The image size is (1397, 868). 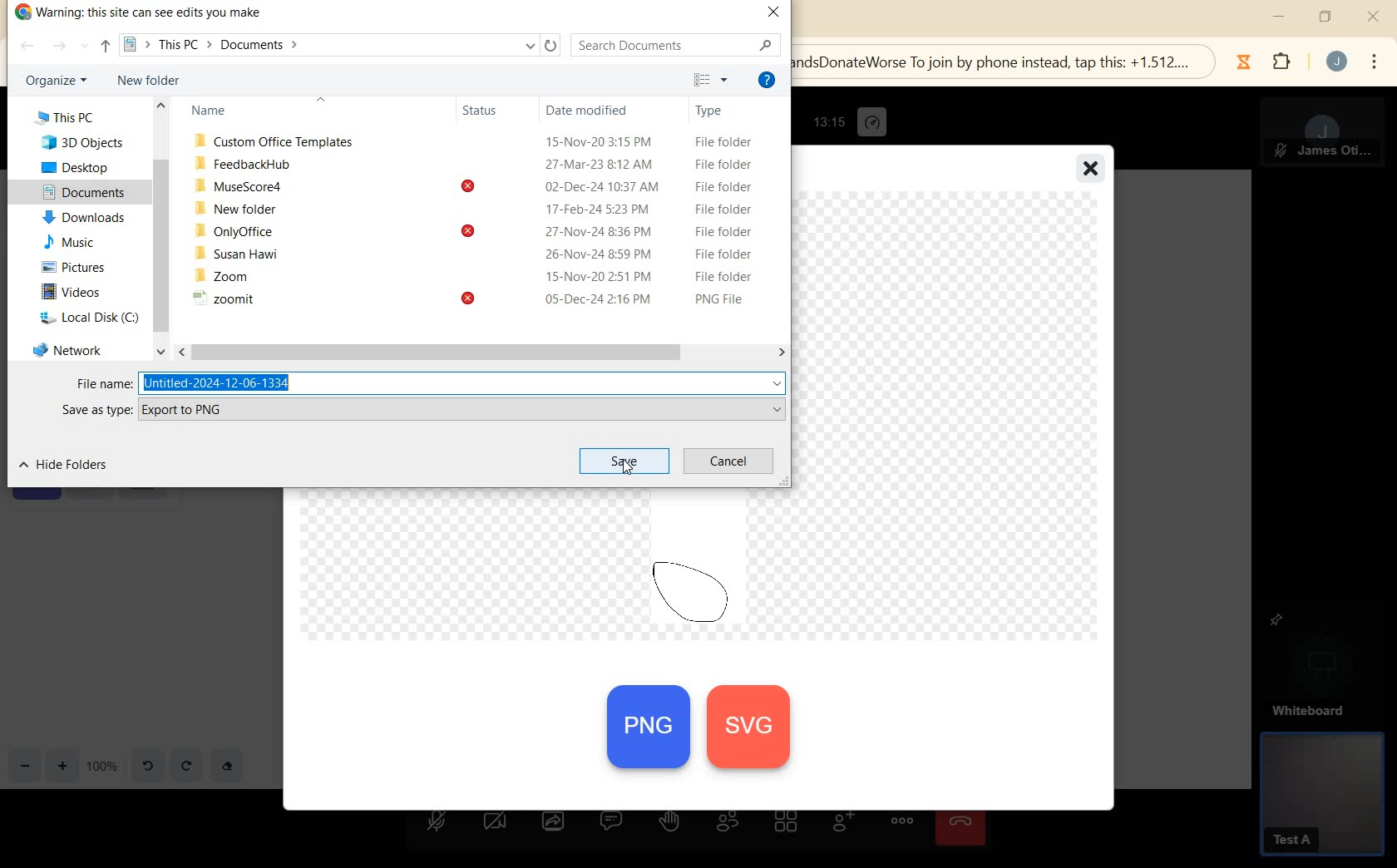 I want to click on account, so click(x=1337, y=62).